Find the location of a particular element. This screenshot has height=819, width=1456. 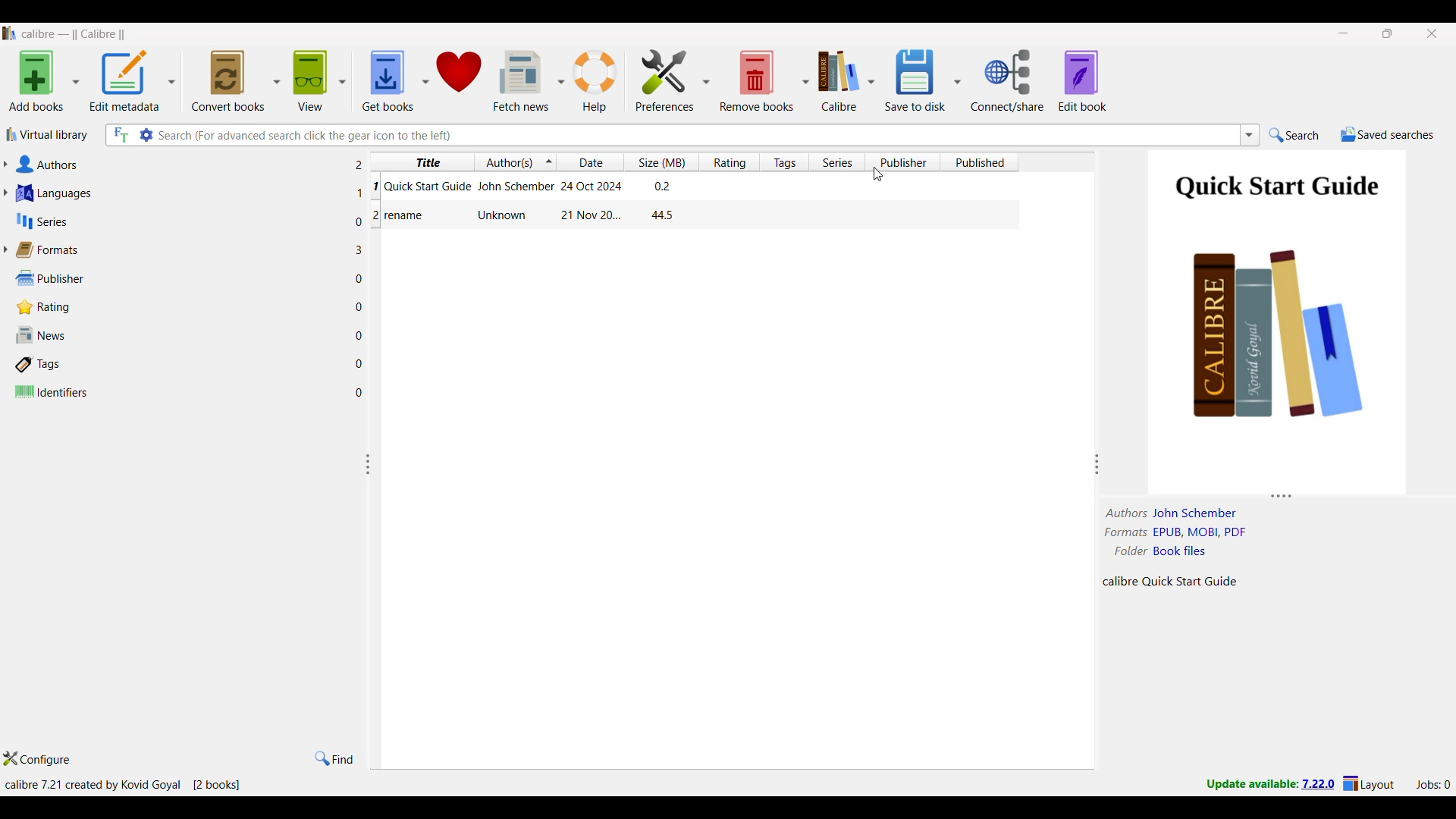

Options to edit metadata is located at coordinates (133, 80).